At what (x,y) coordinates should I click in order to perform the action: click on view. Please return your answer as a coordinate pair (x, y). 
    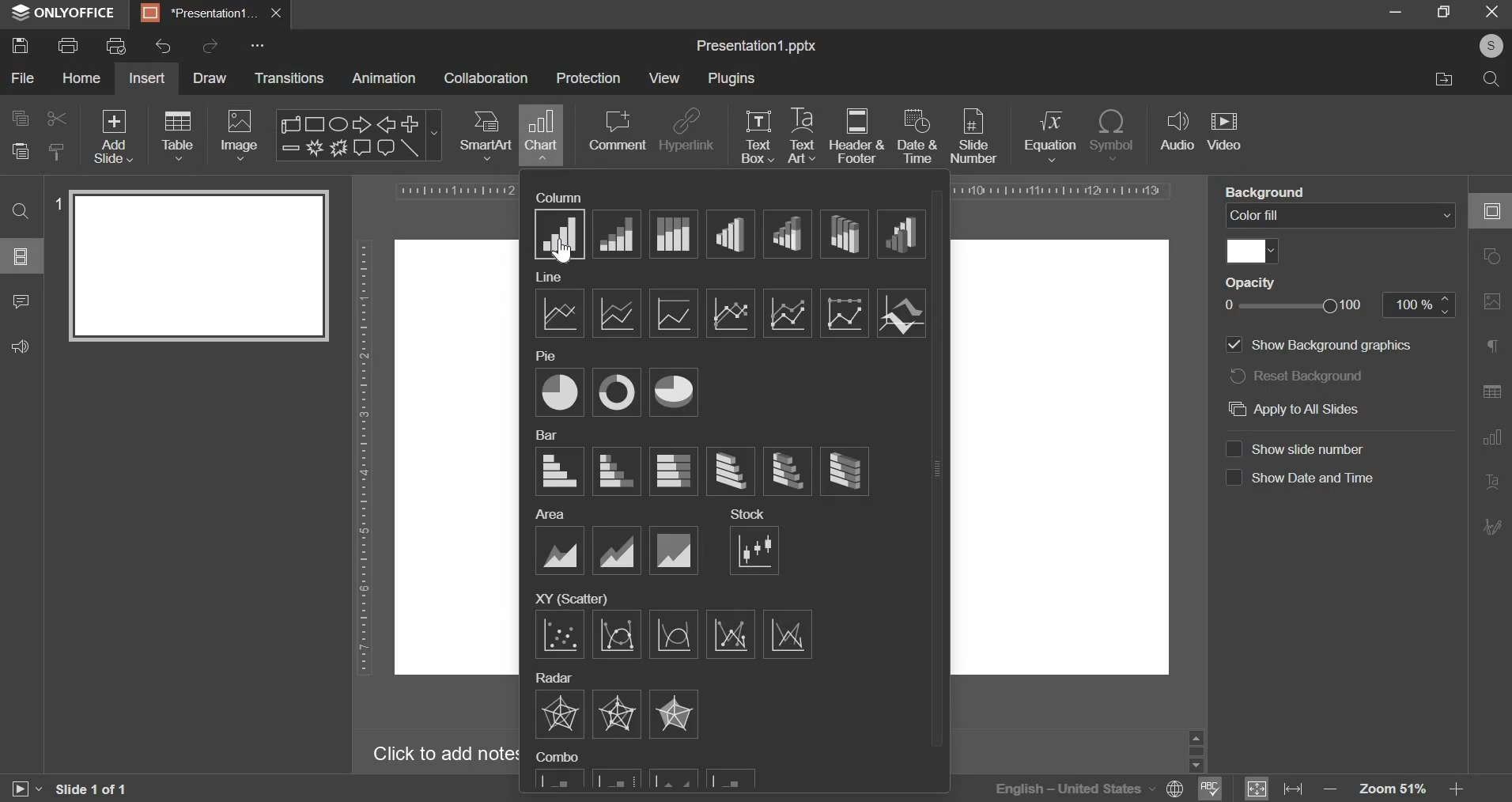
    Looking at the image, I should click on (665, 76).